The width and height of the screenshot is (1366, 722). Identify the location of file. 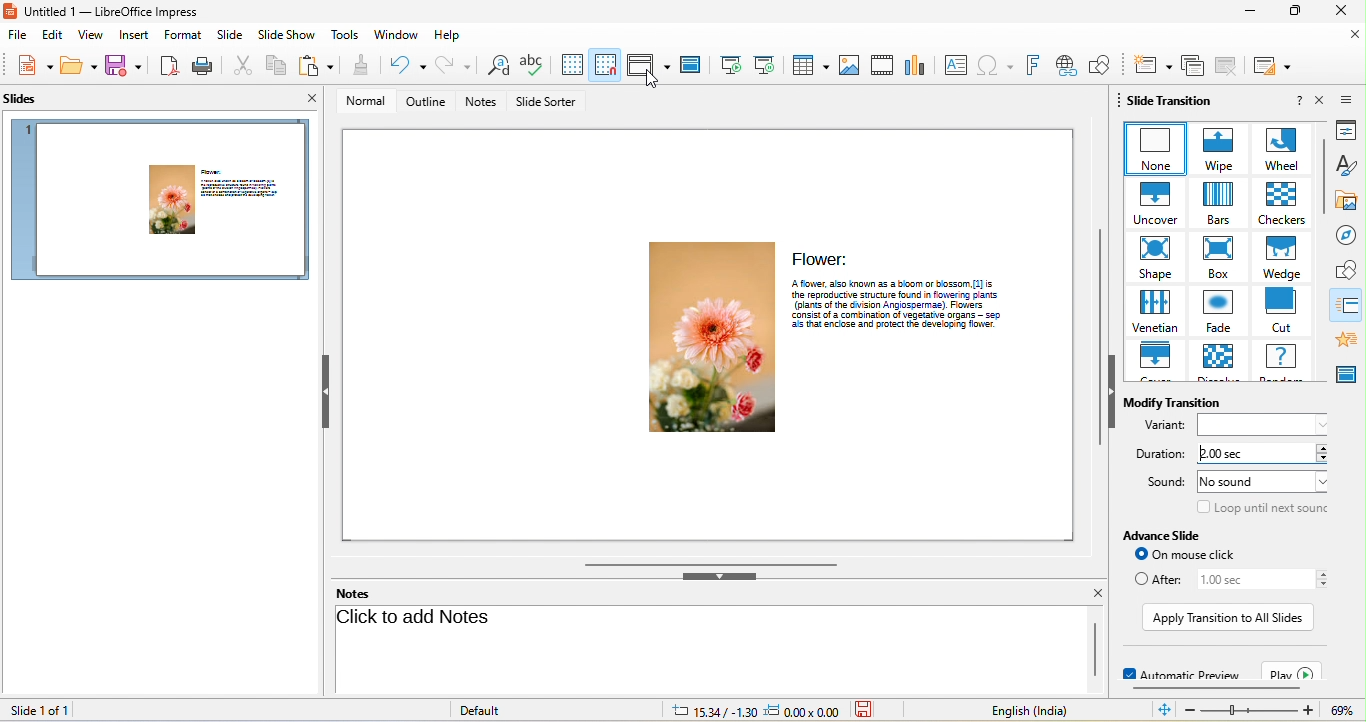
(18, 35).